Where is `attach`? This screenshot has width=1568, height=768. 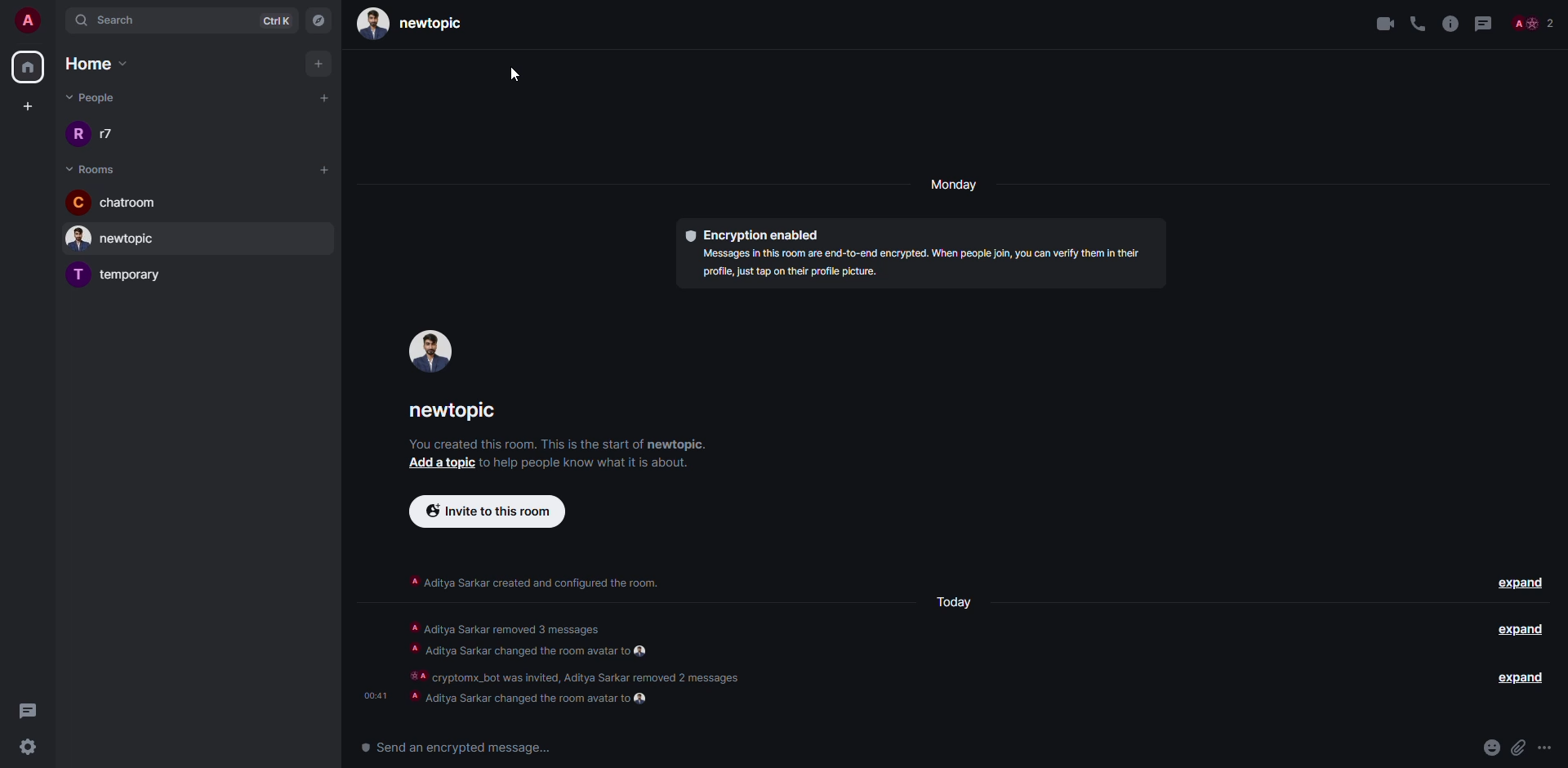 attach is located at coordinates (1519, 747).